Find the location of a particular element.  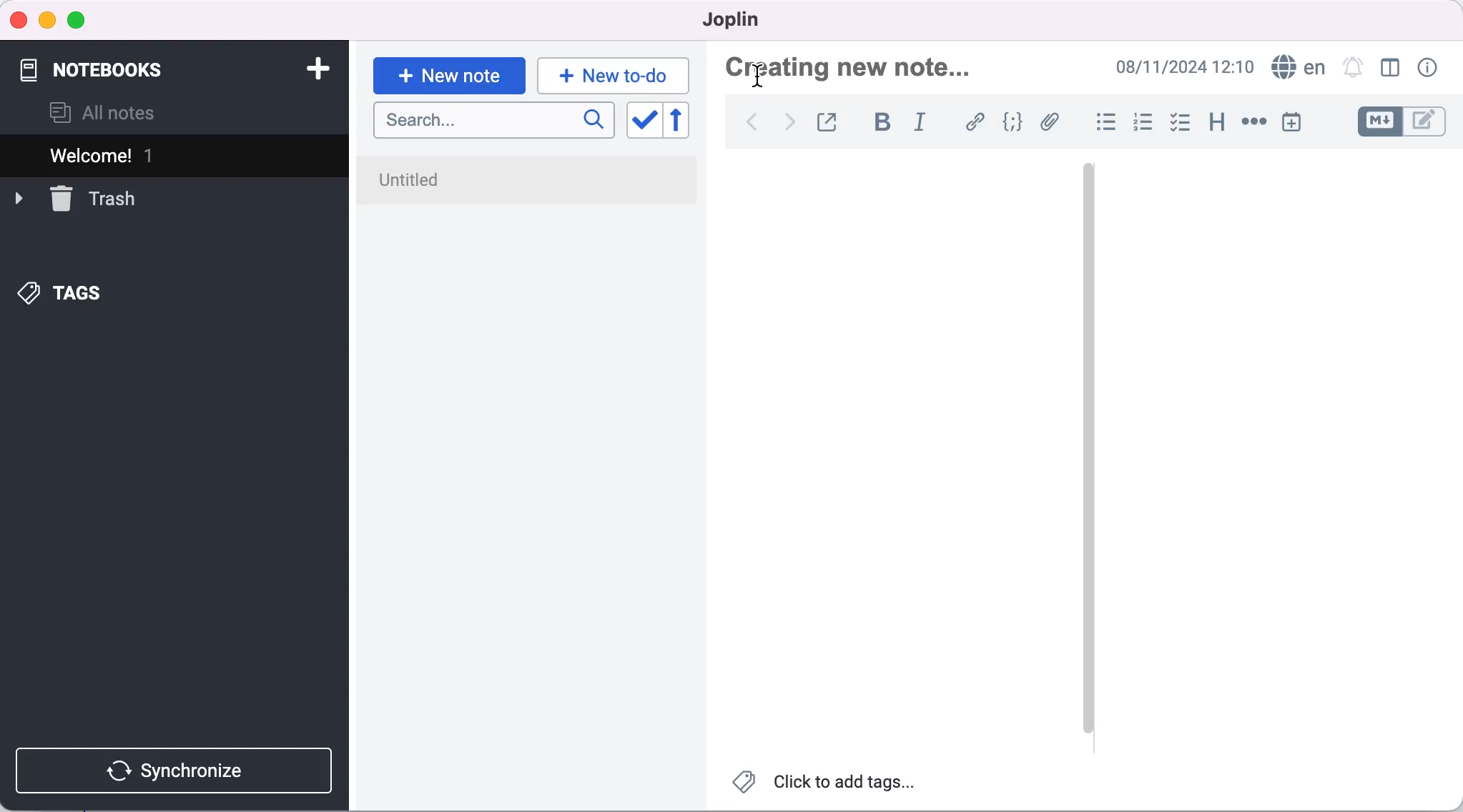

all notes is located at coordinates (119, 111).